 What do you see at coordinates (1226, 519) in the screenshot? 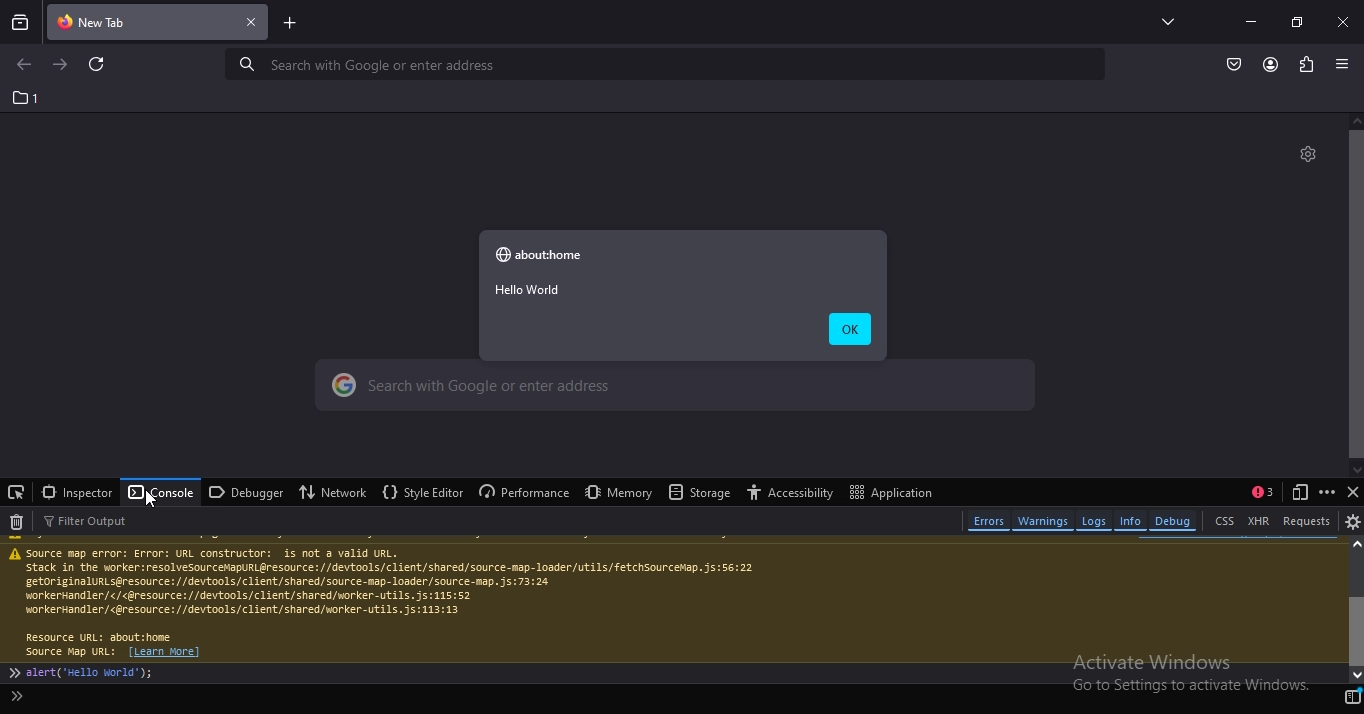
I see `CSS` at bounding box center [1226, 519].